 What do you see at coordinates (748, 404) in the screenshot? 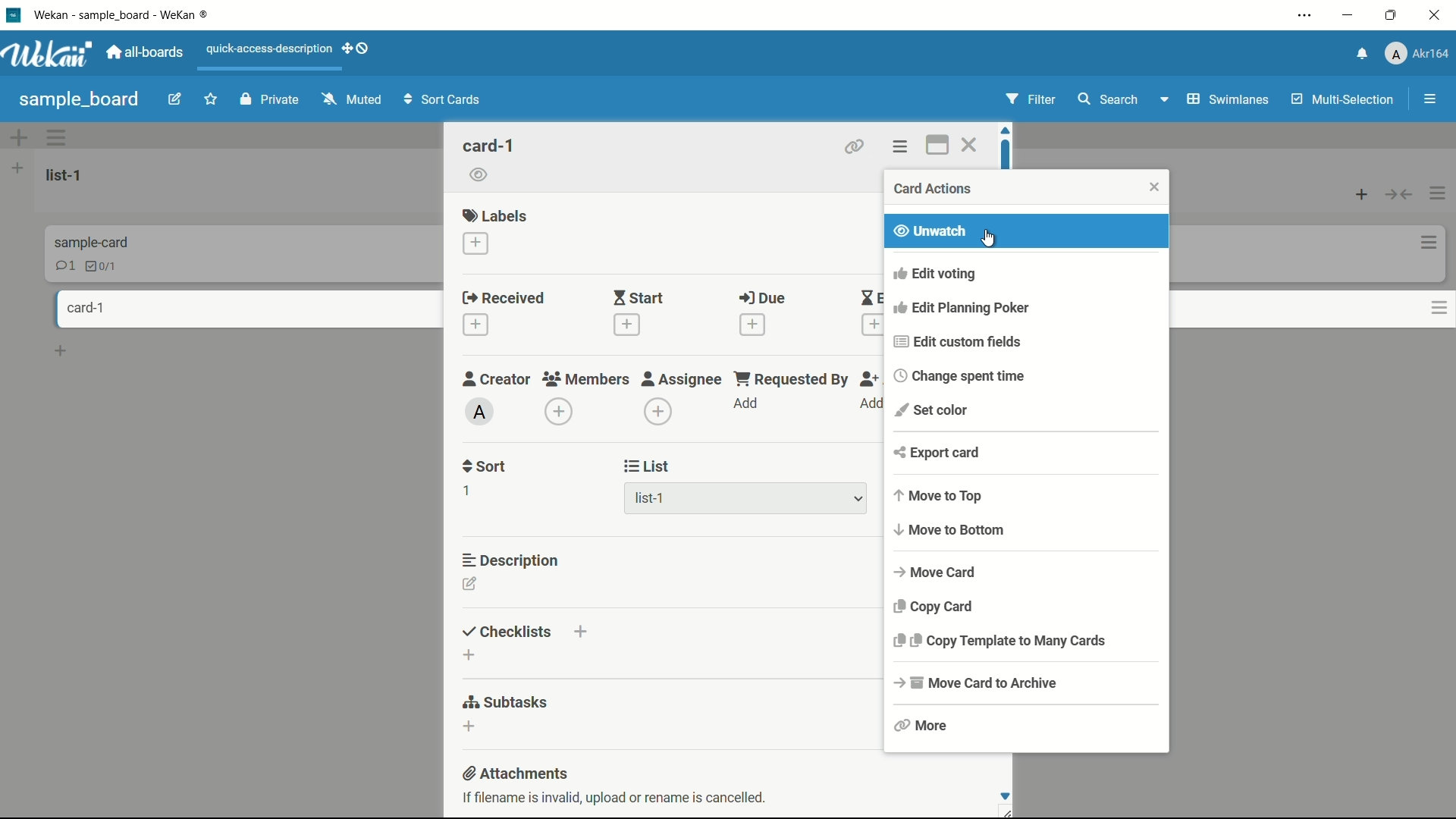
I see `add` at bounding box center [748, 404].